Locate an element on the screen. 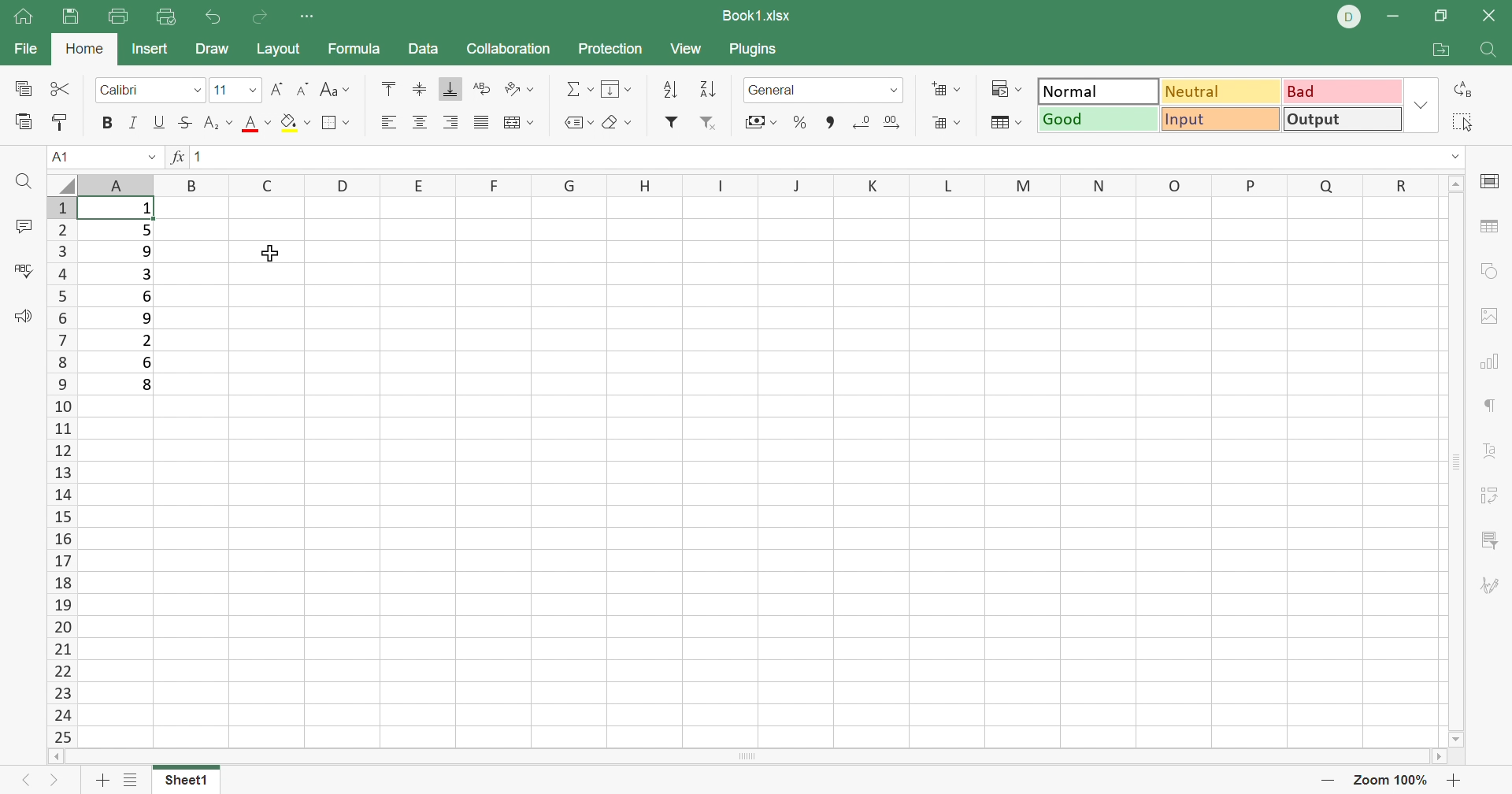 This screenshot has height=794, width=1512. Italic is located at coordinates (135, 121).